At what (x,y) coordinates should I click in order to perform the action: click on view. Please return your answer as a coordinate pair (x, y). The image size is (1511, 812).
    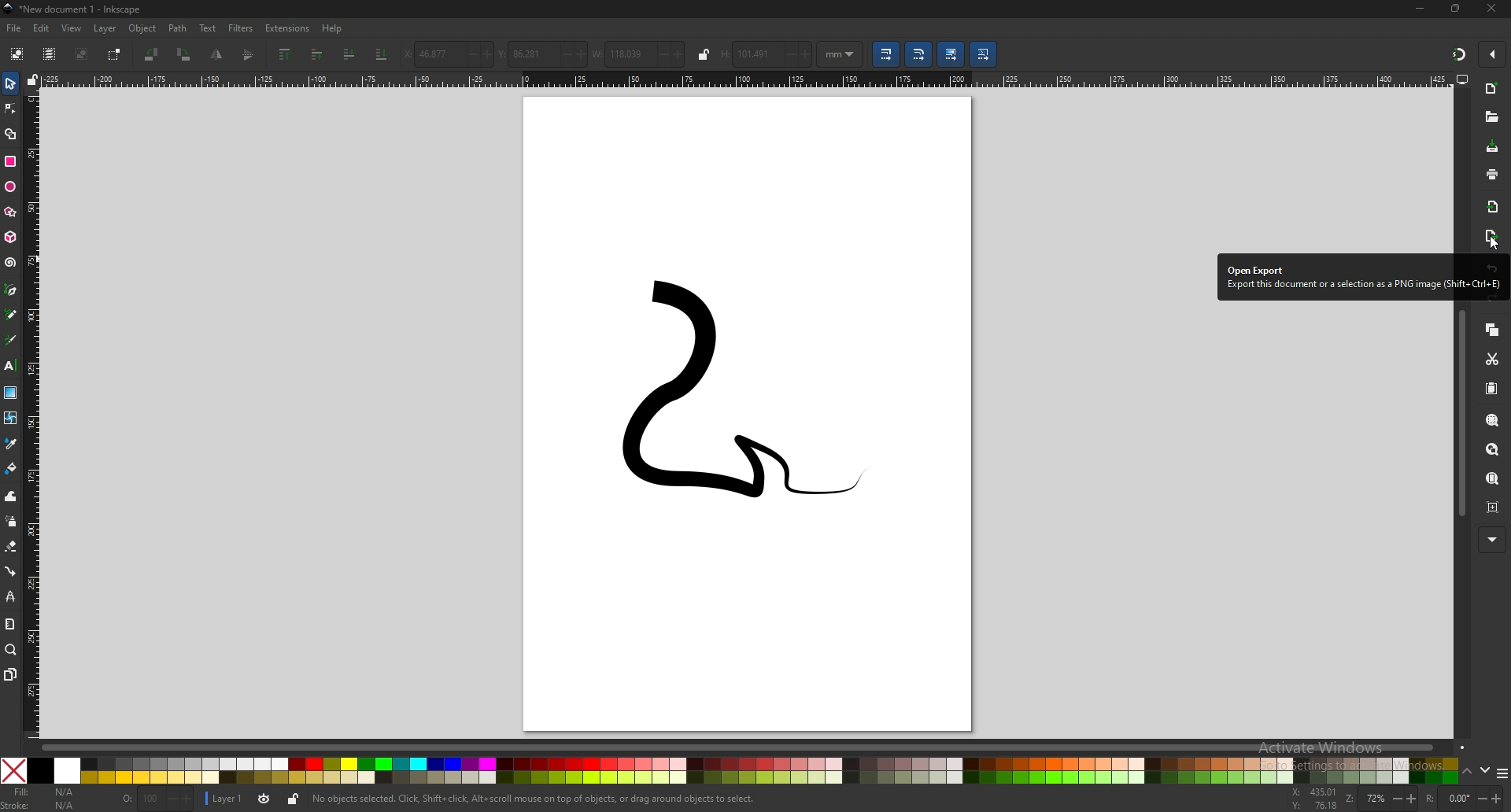
    Looking at the image, I should click on (72, 29).